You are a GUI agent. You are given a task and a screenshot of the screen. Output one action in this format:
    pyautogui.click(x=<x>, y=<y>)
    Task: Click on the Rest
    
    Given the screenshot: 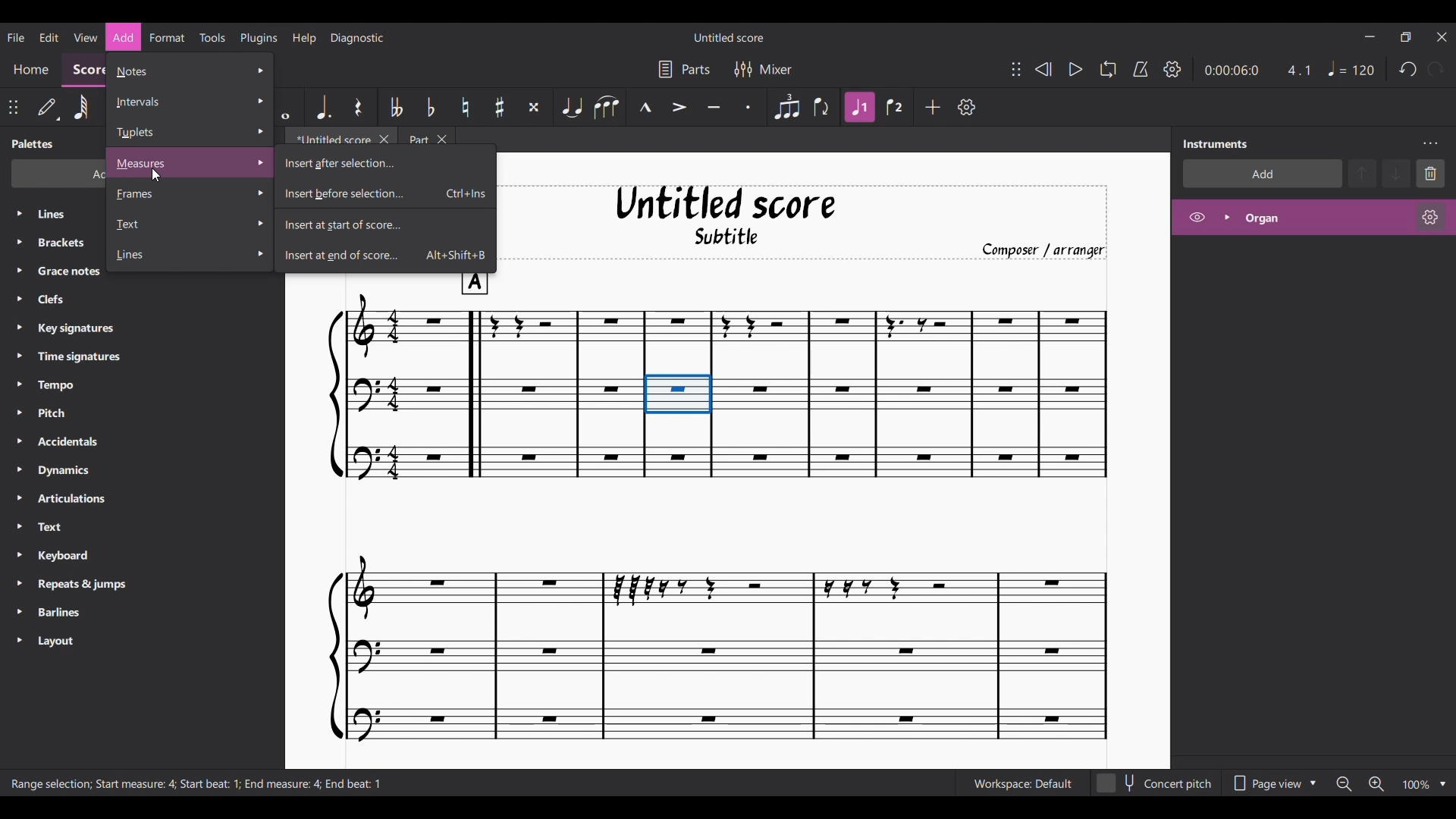 What is the action you would take?
    pyautogui.click(x=359, y=107)
    